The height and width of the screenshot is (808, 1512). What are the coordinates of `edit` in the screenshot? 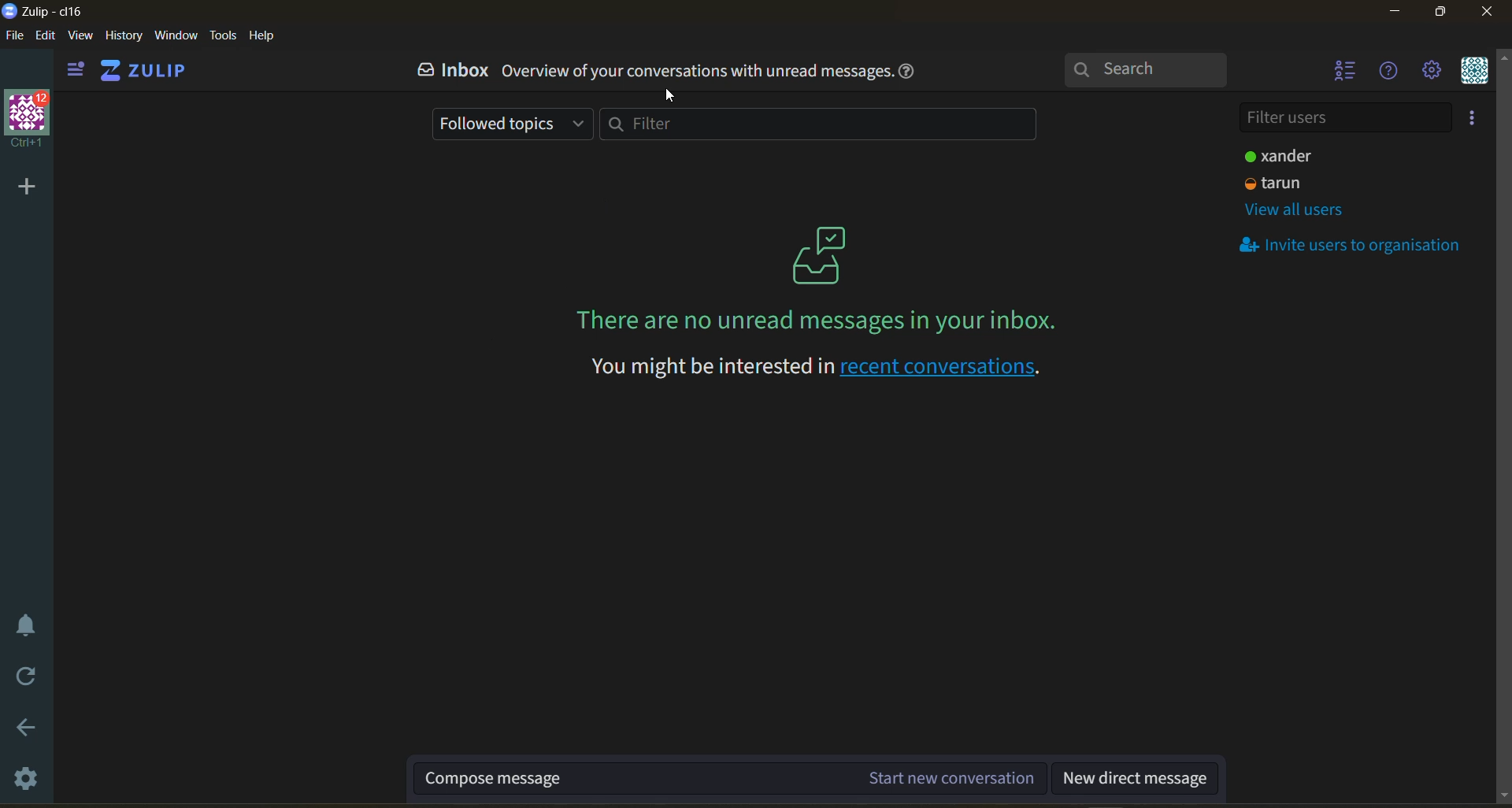 It's located at (45, 37).